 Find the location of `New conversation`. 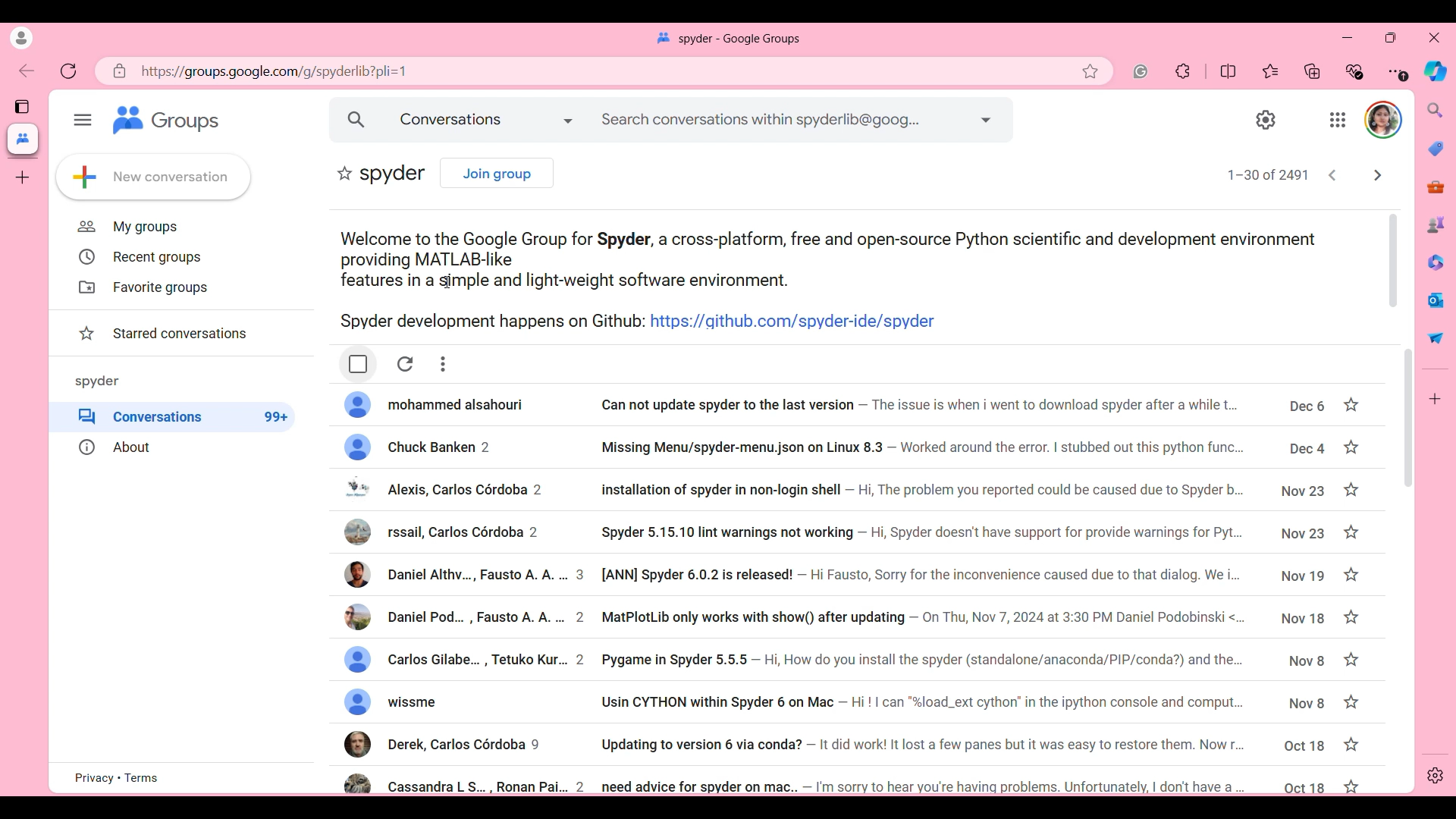

New conversation is located at coordinates (154, 177).